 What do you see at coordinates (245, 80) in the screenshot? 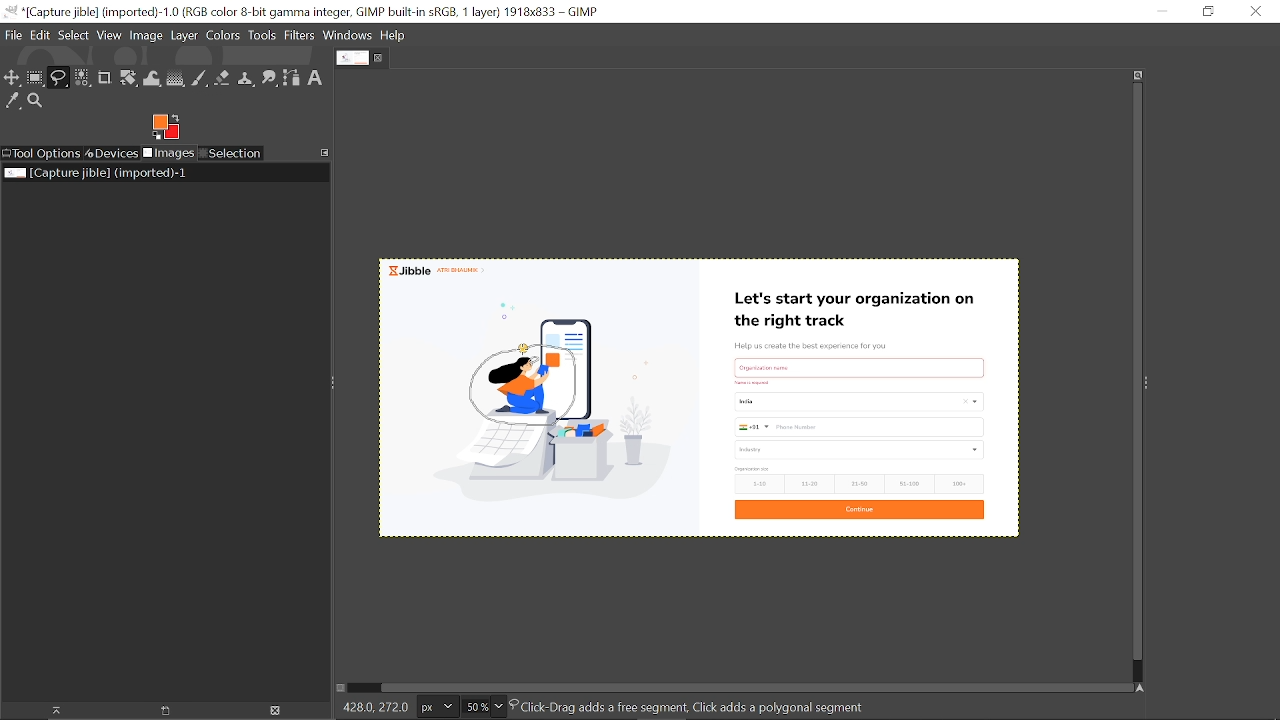
I see `Clone tool` at bounding box center [245, 80].